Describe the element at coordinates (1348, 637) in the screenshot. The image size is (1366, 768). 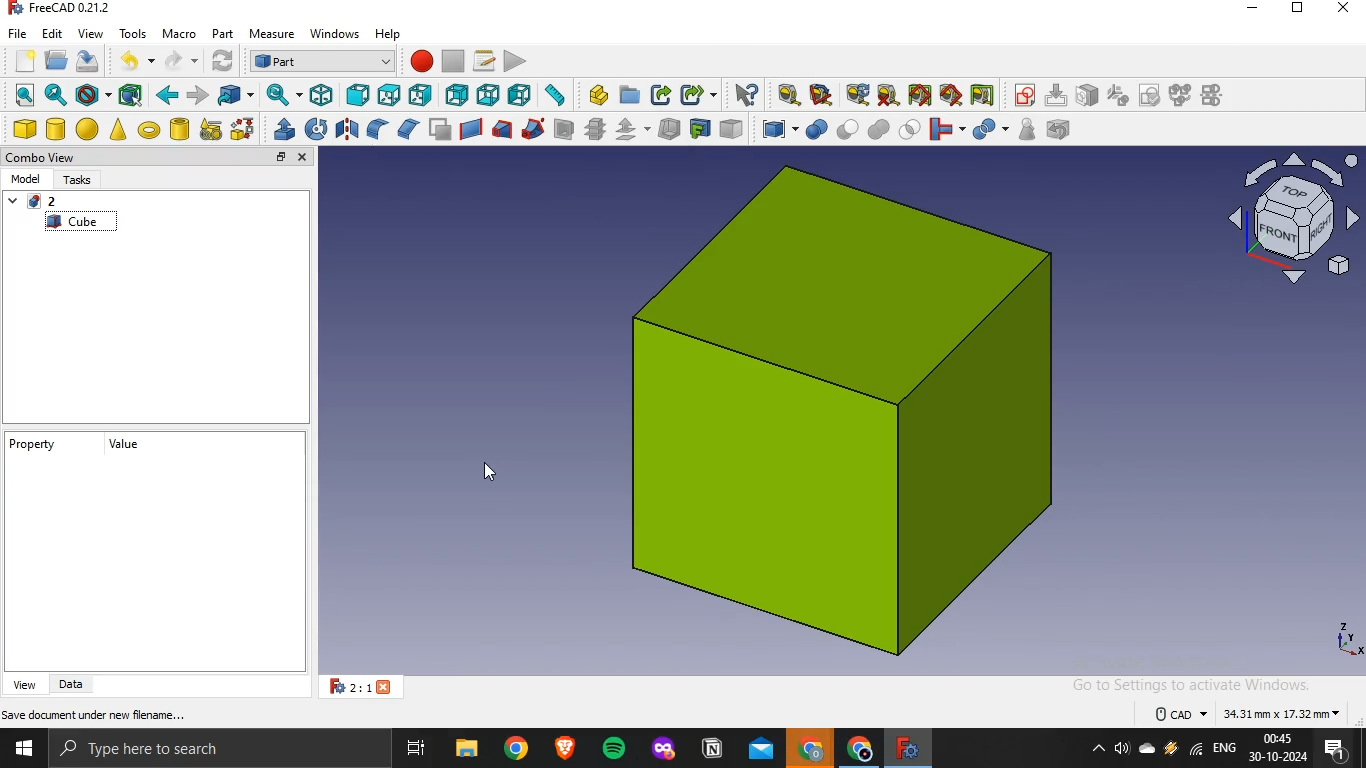
I see `axes icon` at that location.